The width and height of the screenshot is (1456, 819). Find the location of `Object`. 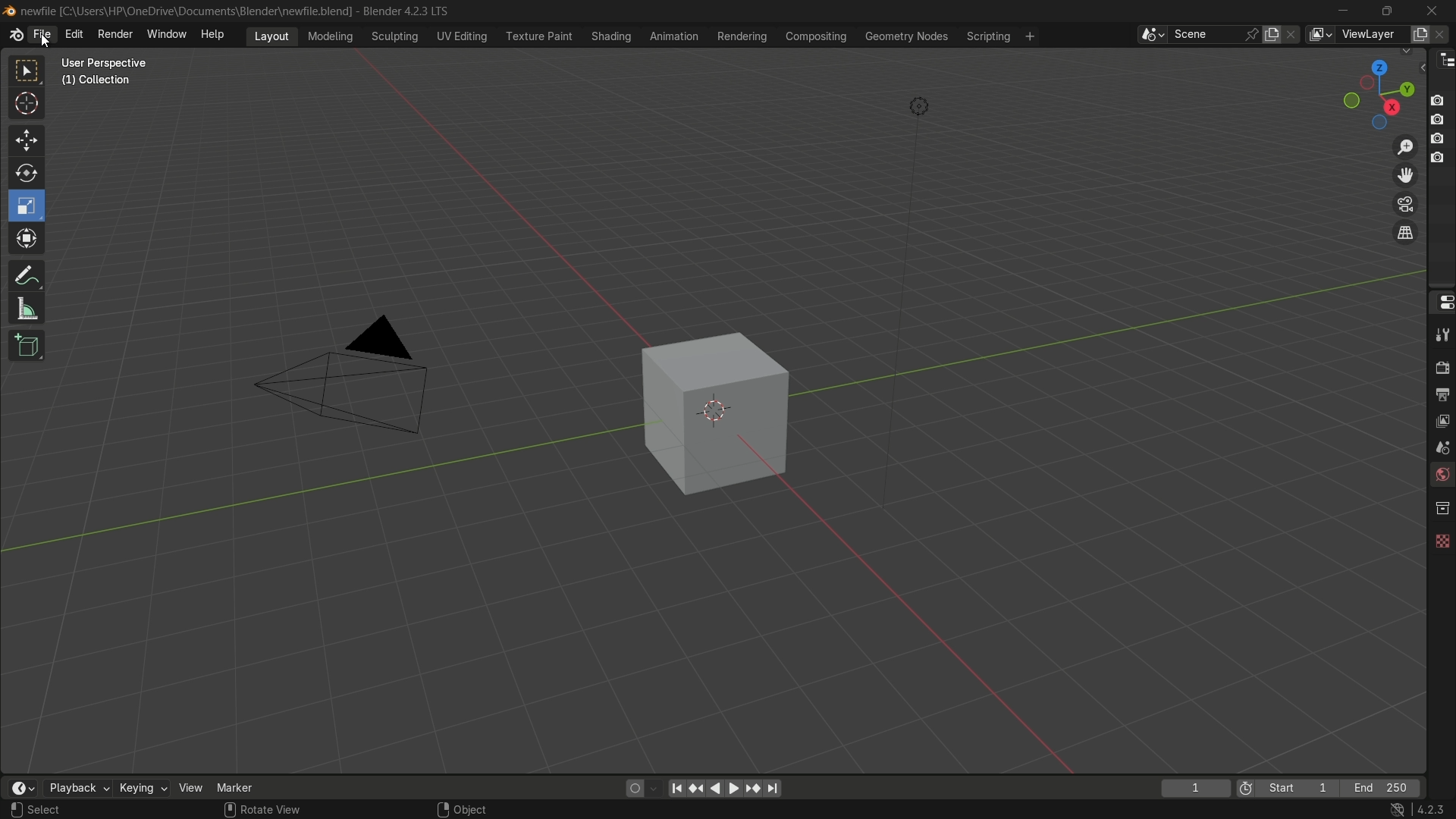

Object is located at coordinates (480, 805).